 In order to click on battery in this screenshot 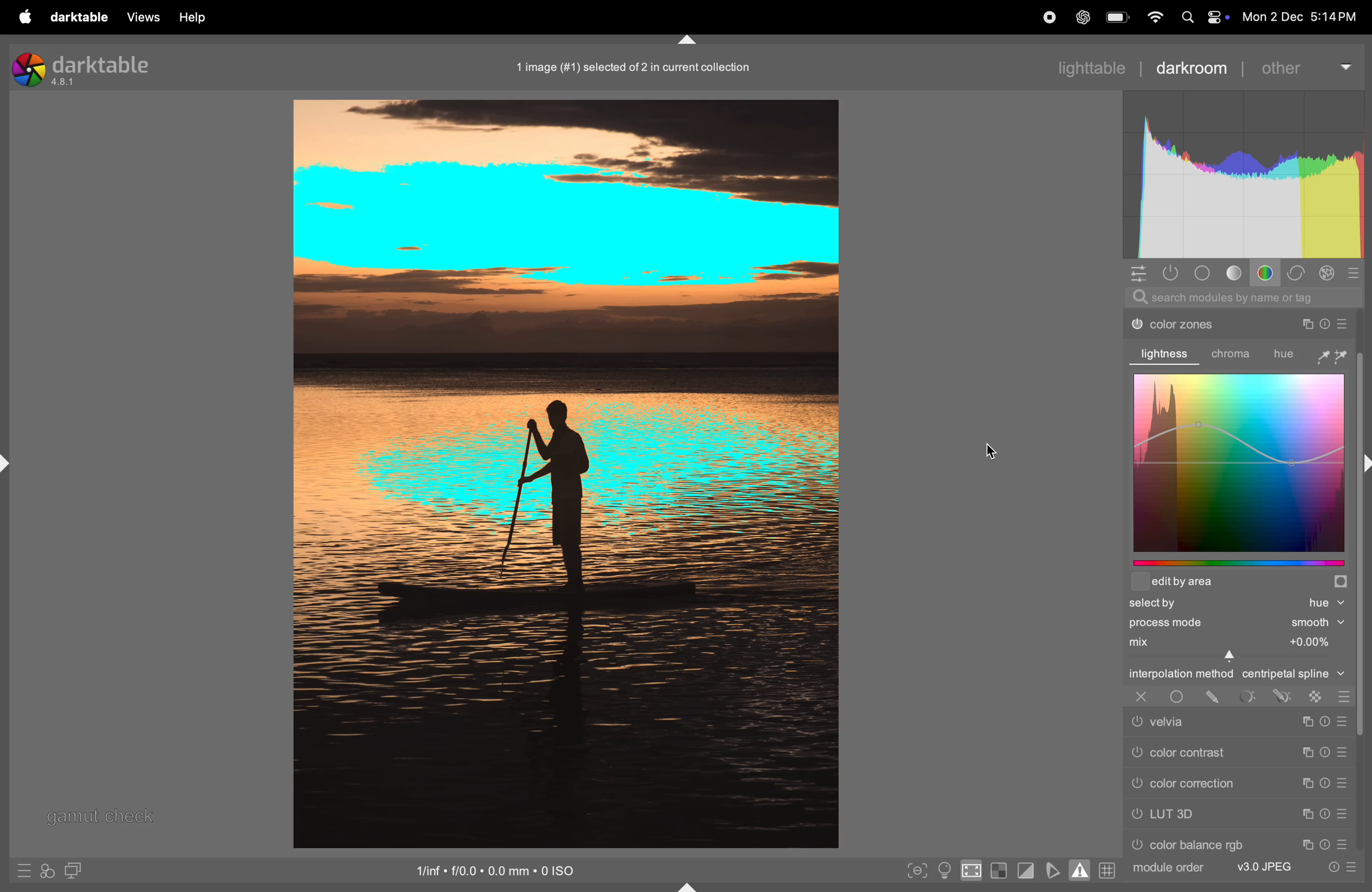, I will do `click(1118, 16)`.